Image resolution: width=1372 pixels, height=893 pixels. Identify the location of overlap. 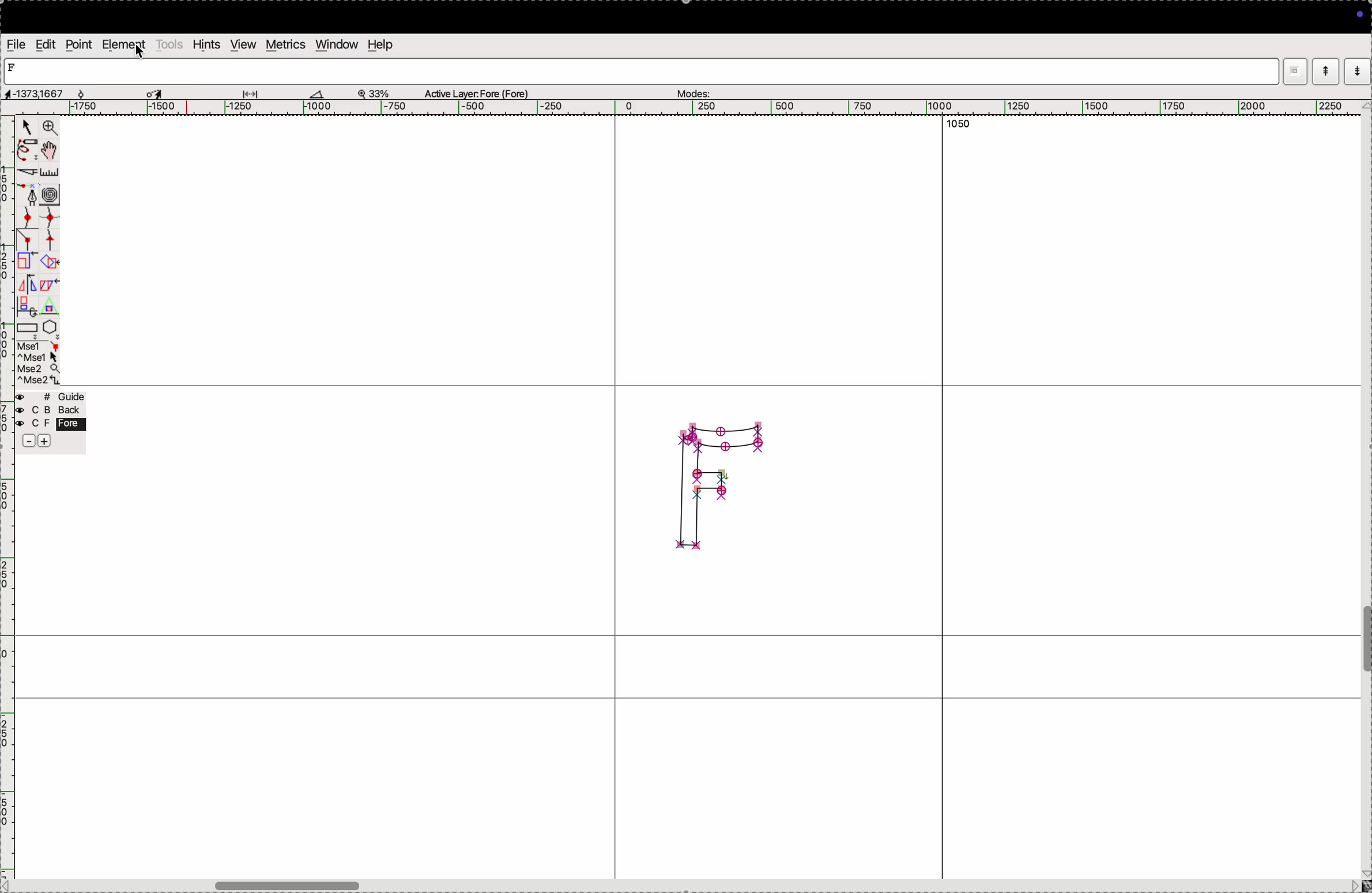
(51, 262).